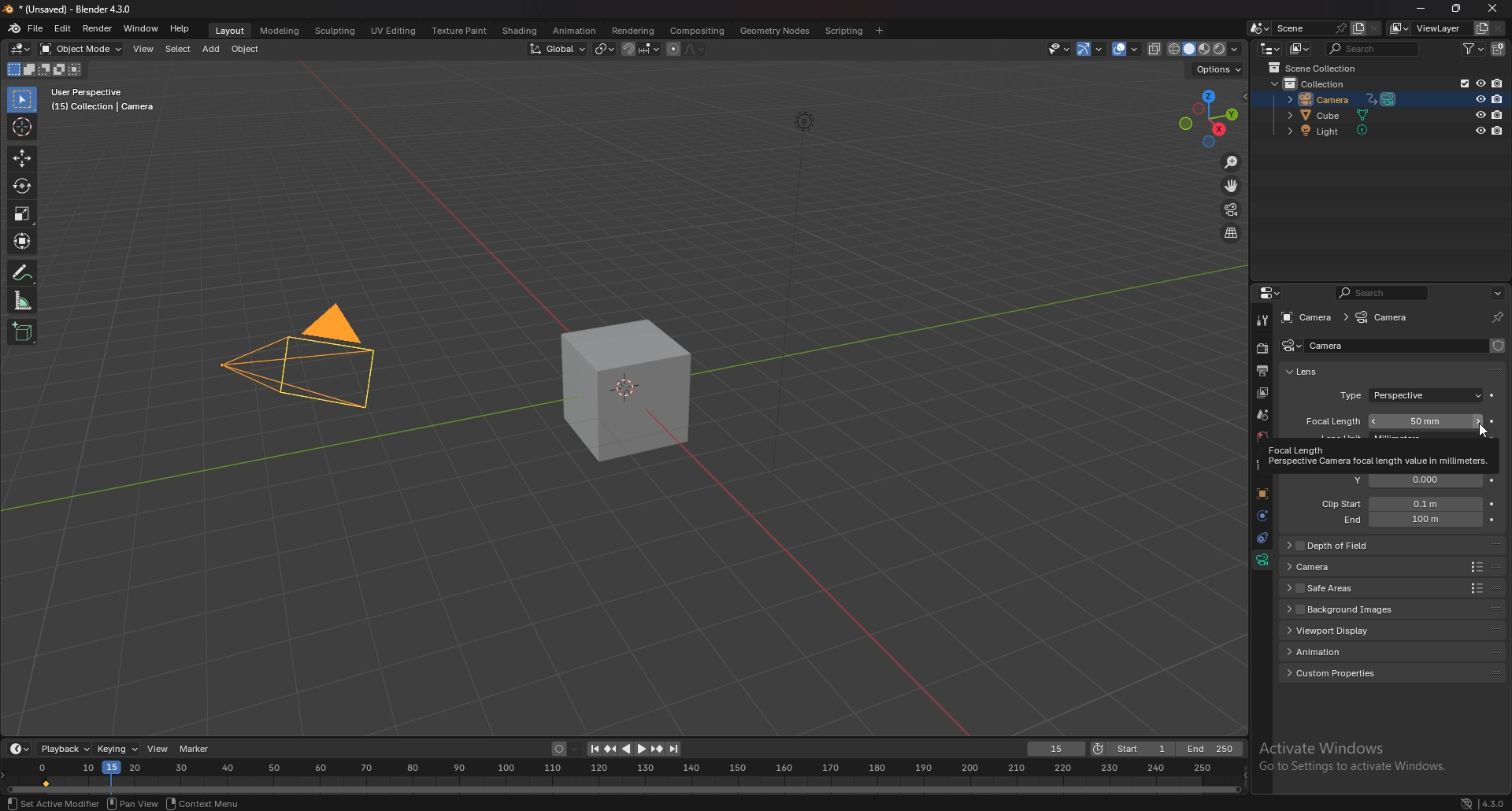 The height and width of the screenshot is (811, 1512). What do you see at coordinates (610, 749) in the screenshot?
I see `jump to keyframe` at bounding box center [610, 749].